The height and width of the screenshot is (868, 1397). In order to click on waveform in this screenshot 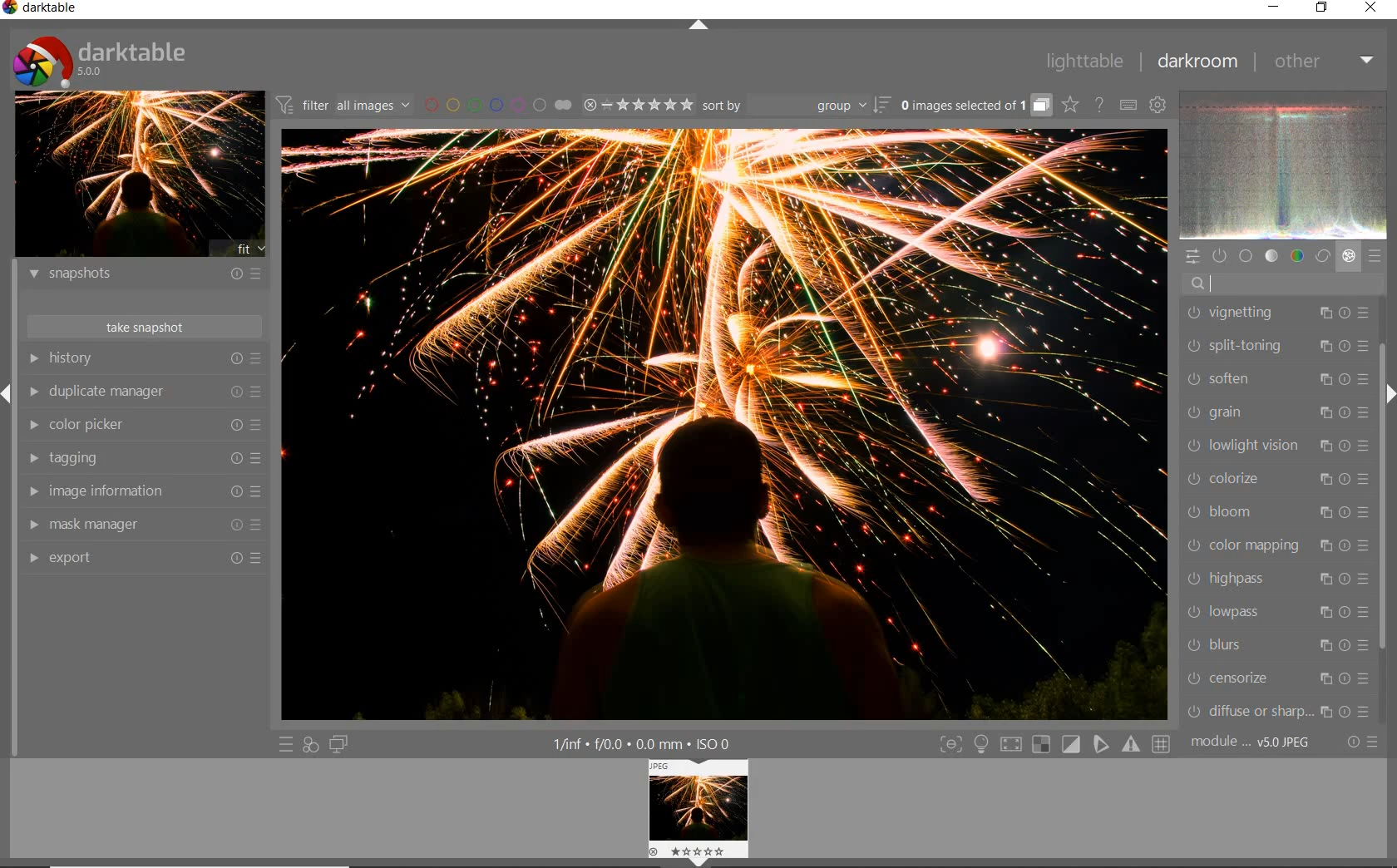, I will do `click(1285, 165)`.